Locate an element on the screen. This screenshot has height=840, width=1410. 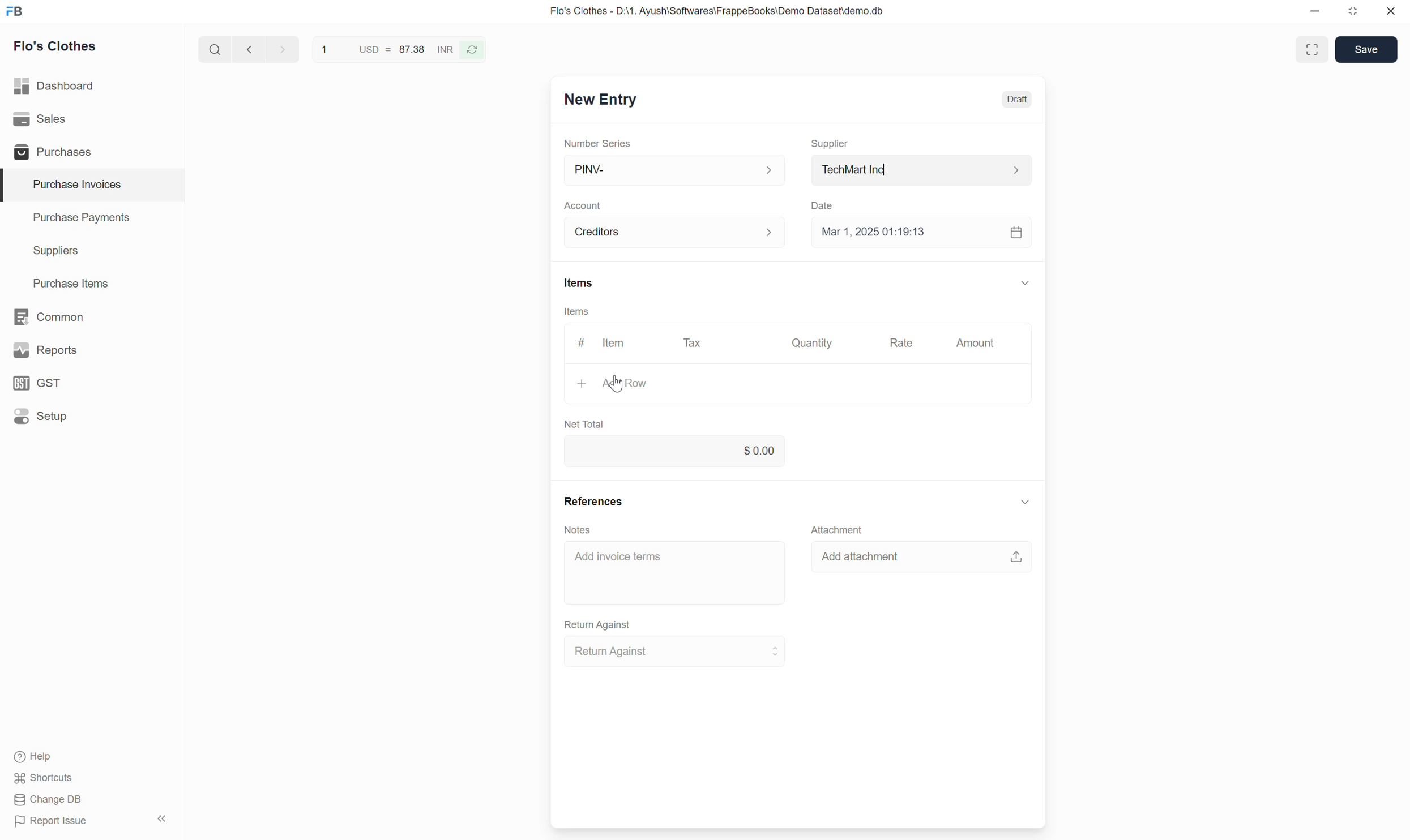
# is located at coordinates (580, 340).